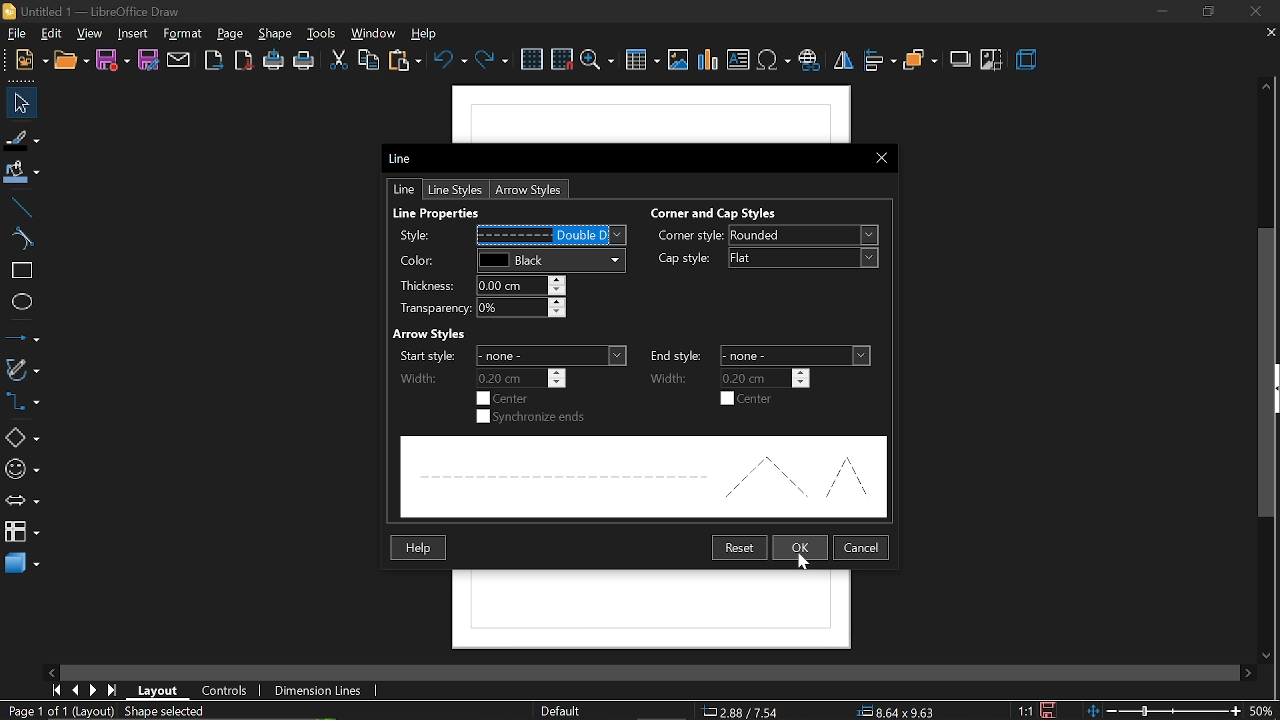 The height and width of the screenshot is (720, 1280). Describe the element at coordinates (1265, 86) in the screenshot. I see `move up` at that location.